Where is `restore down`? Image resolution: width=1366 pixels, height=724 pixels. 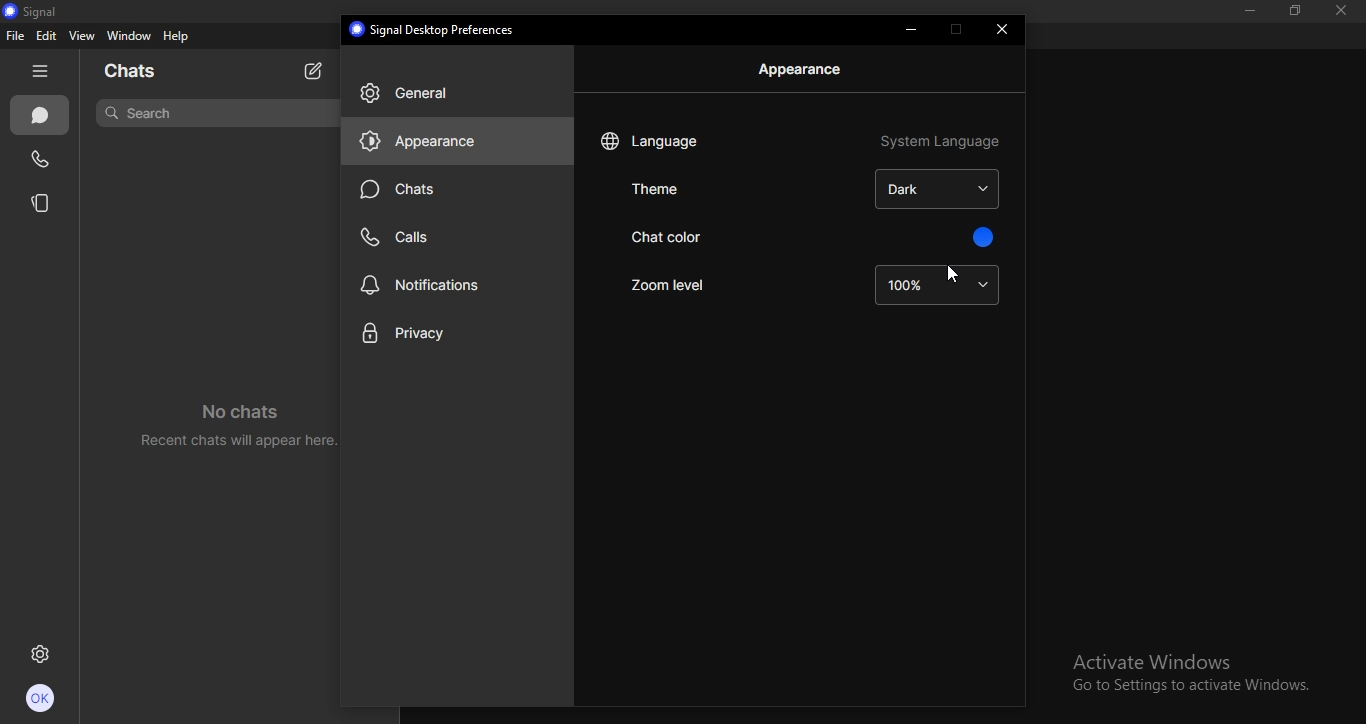 restore down is located at coordinates (957, 29).